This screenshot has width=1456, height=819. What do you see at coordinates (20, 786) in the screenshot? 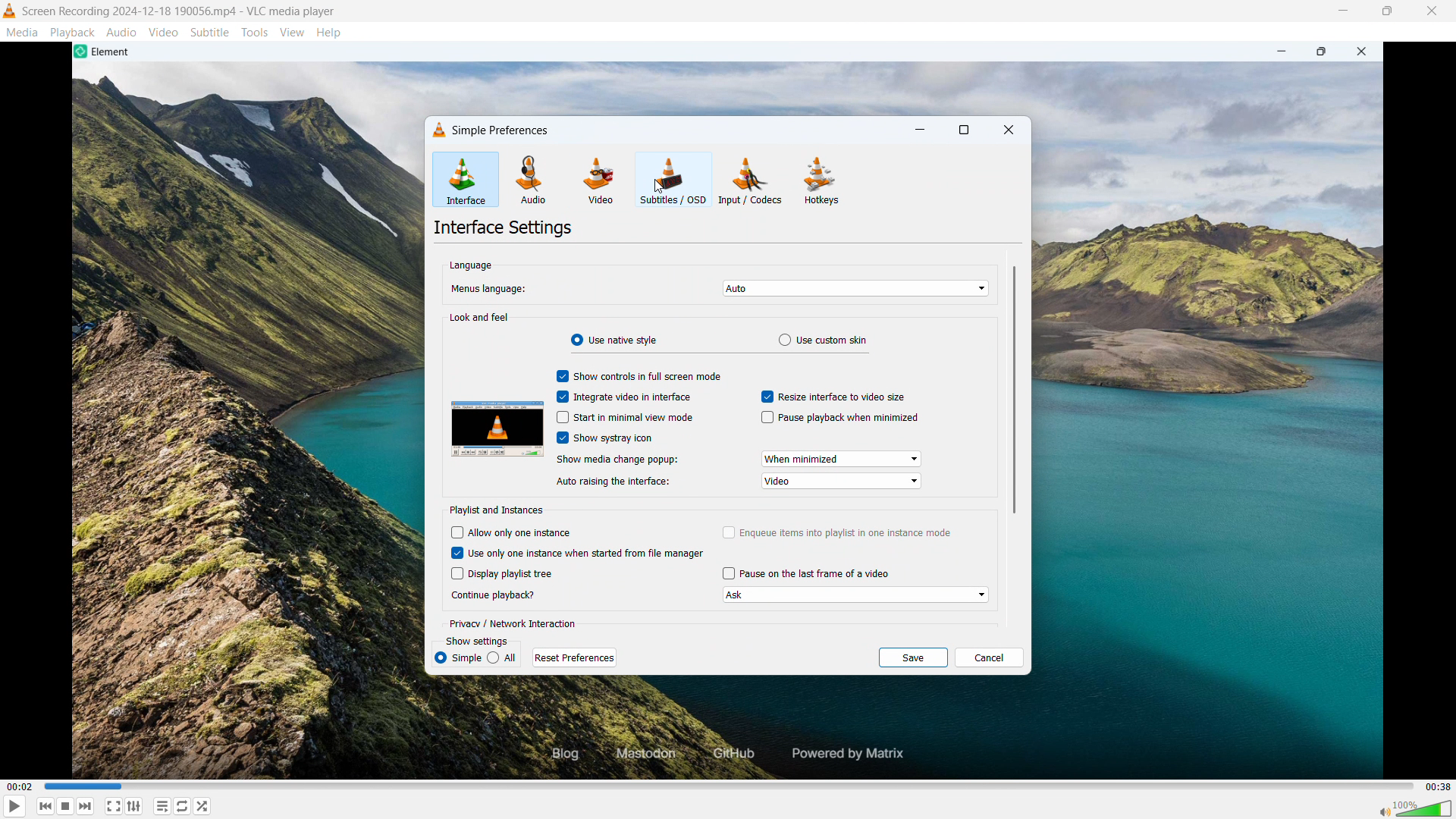
I see `Time elapsed ` at bounding box center [20, 786].